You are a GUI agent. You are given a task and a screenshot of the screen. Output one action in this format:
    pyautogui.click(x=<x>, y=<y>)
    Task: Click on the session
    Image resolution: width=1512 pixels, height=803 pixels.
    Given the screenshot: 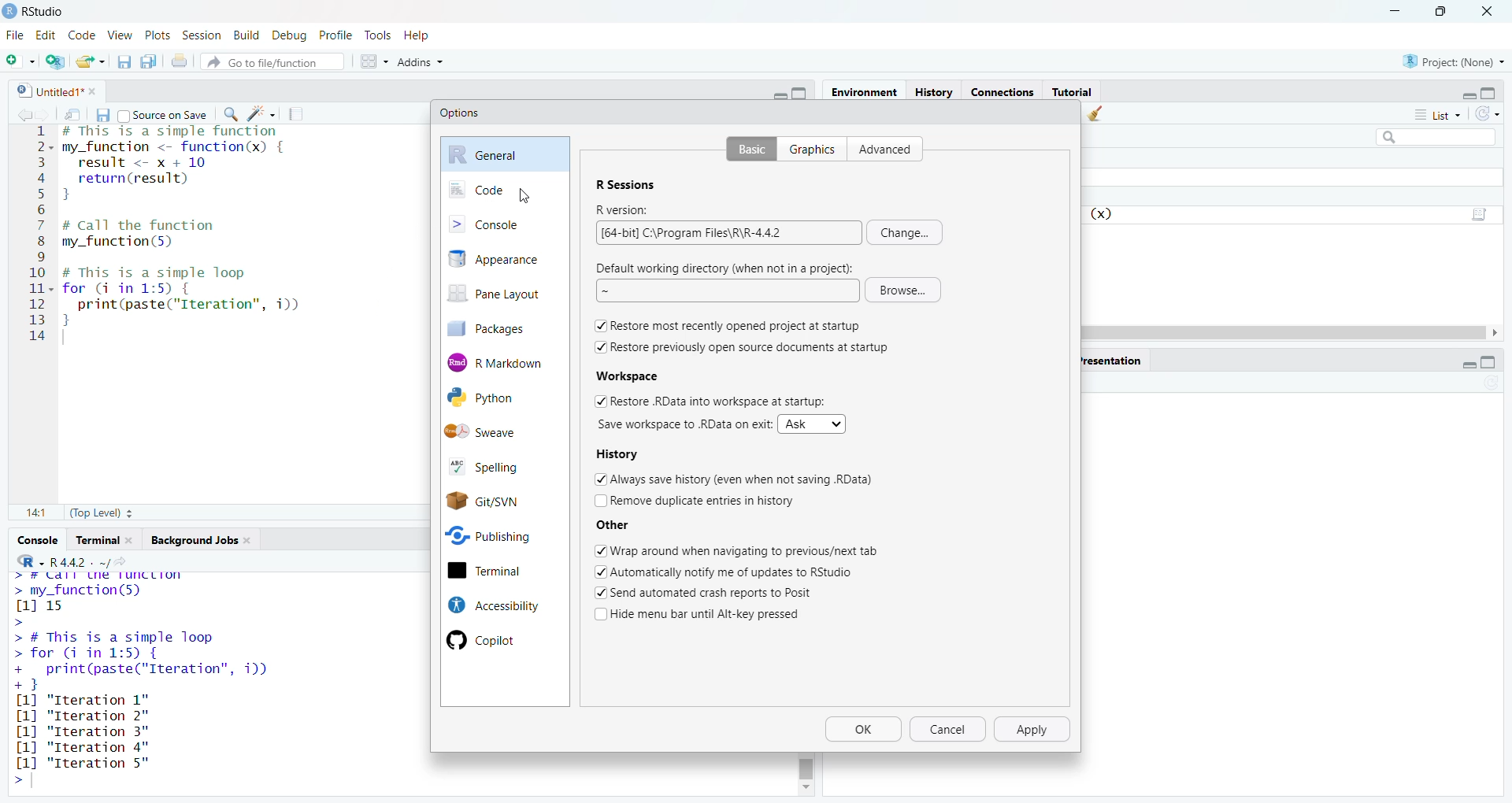 What is the action you would take?
    pyautogui.click(x=200, y=33)
    